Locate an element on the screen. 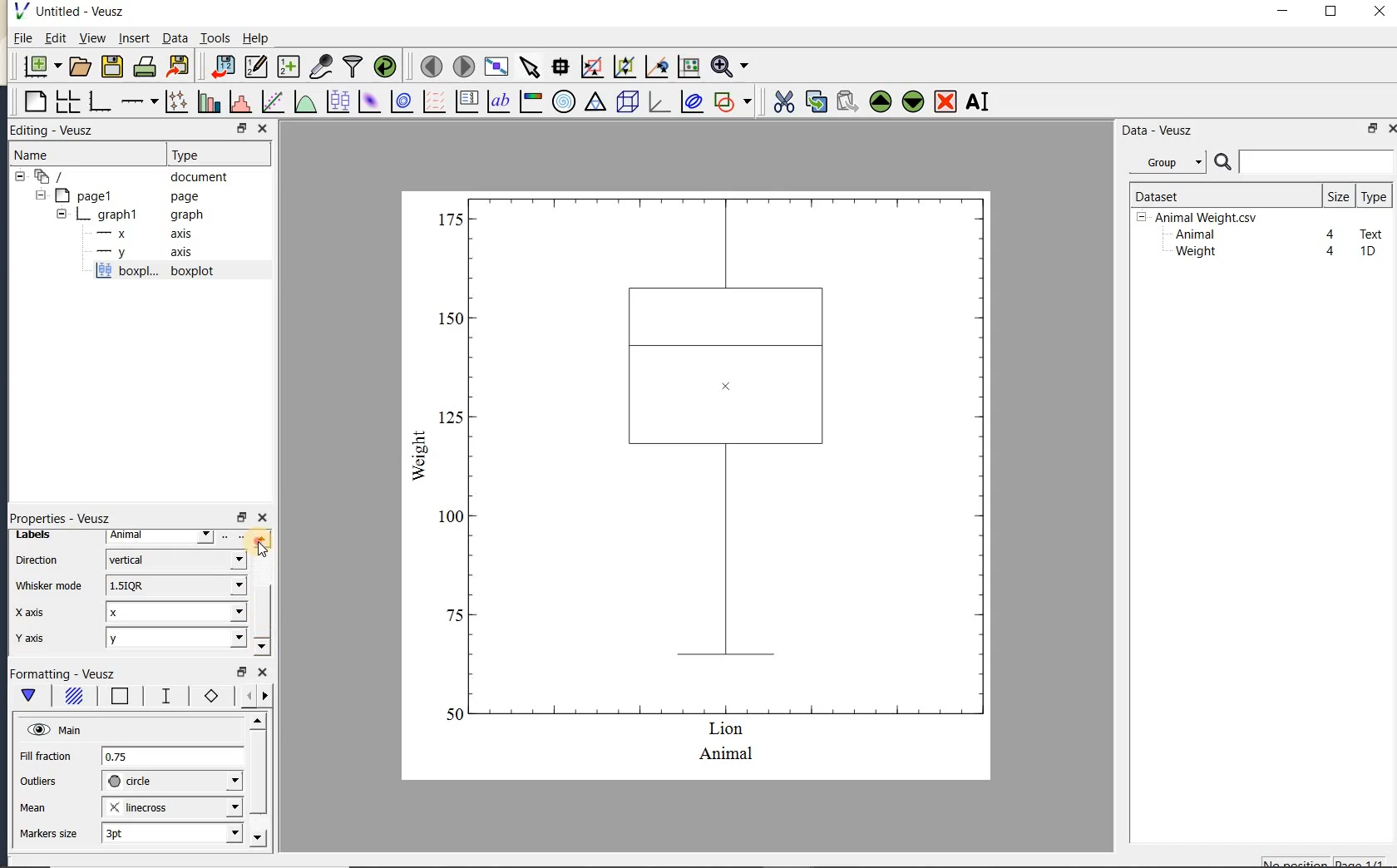  boxplot is located at coordinates (174, 273).